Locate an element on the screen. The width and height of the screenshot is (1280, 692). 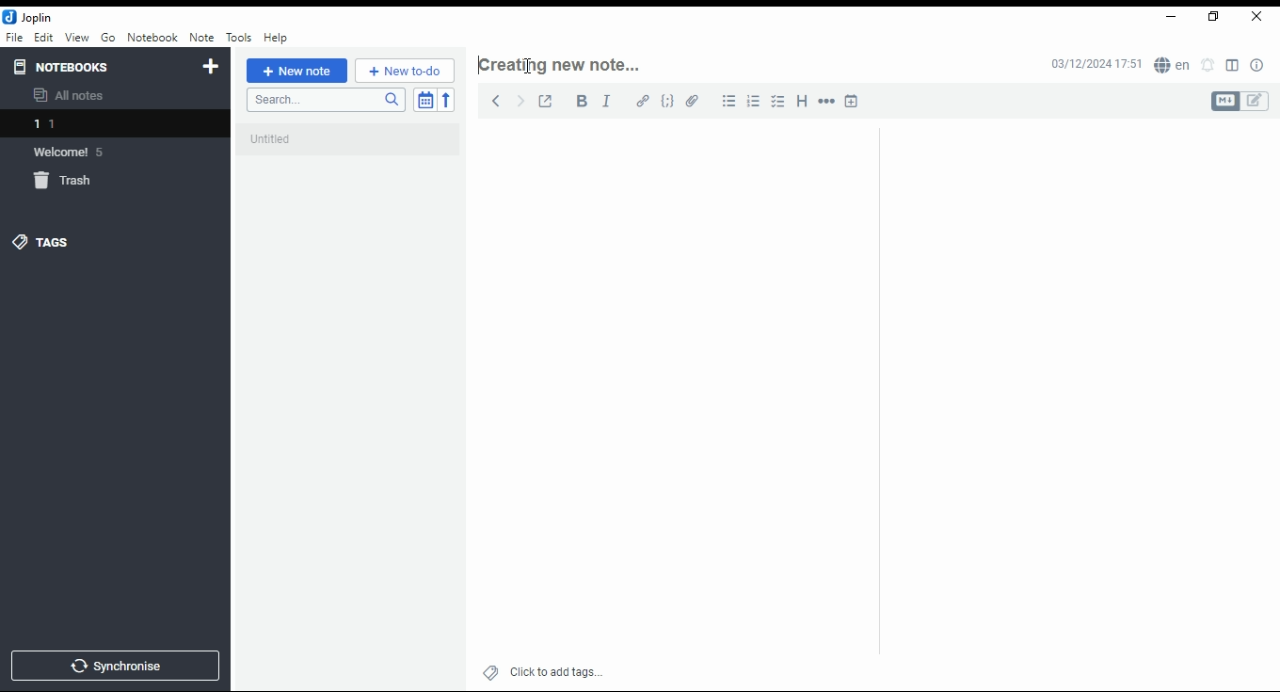
edit is located at coordinates (1257, 101).